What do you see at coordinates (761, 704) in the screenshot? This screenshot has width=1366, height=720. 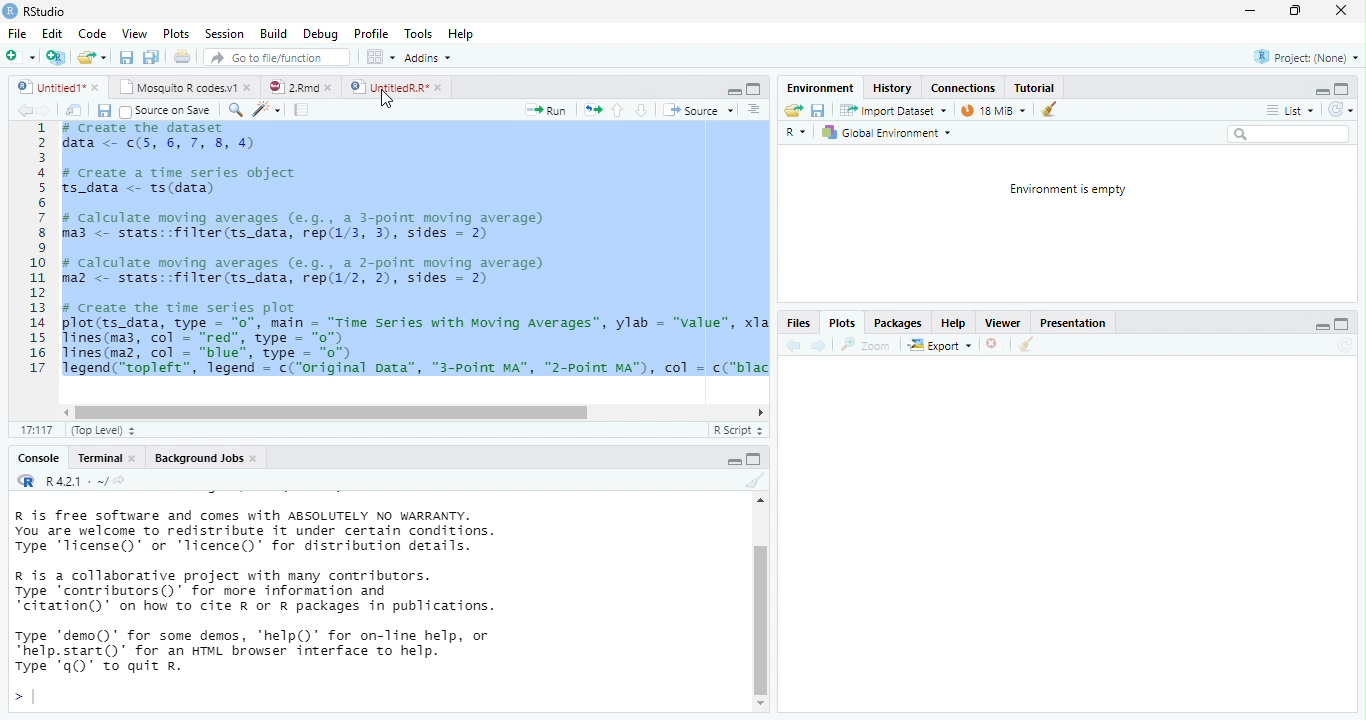 I see `scrollbar down` at bounding box center [761, 704].